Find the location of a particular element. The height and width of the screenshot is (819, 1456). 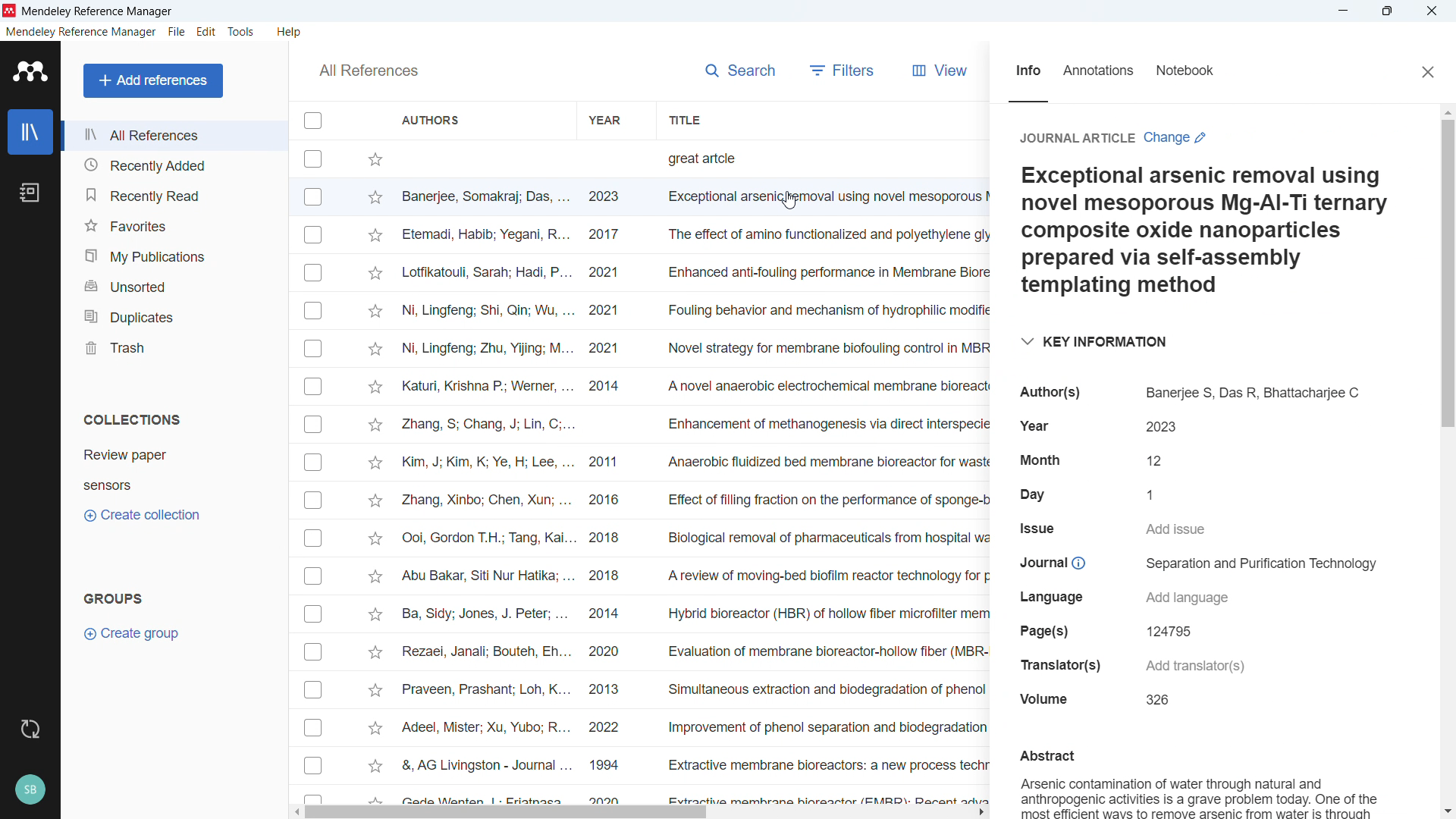

Collection 2  is located at coordinates (107, 485).